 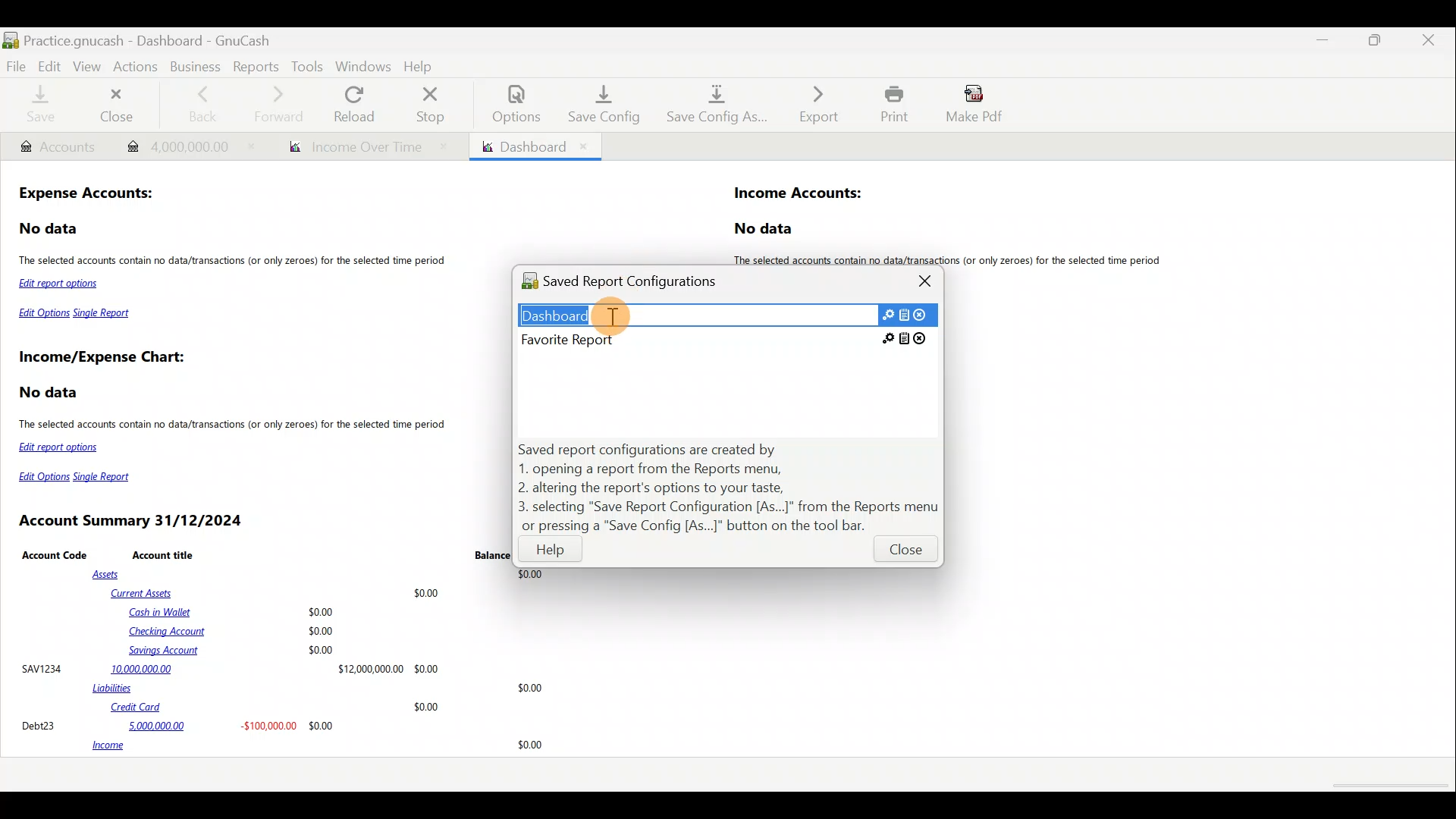 I want to click on Cash in Wallet $0.00
Checking Account $0.00
Savings Account $0.00, so click(x=234, y=631).